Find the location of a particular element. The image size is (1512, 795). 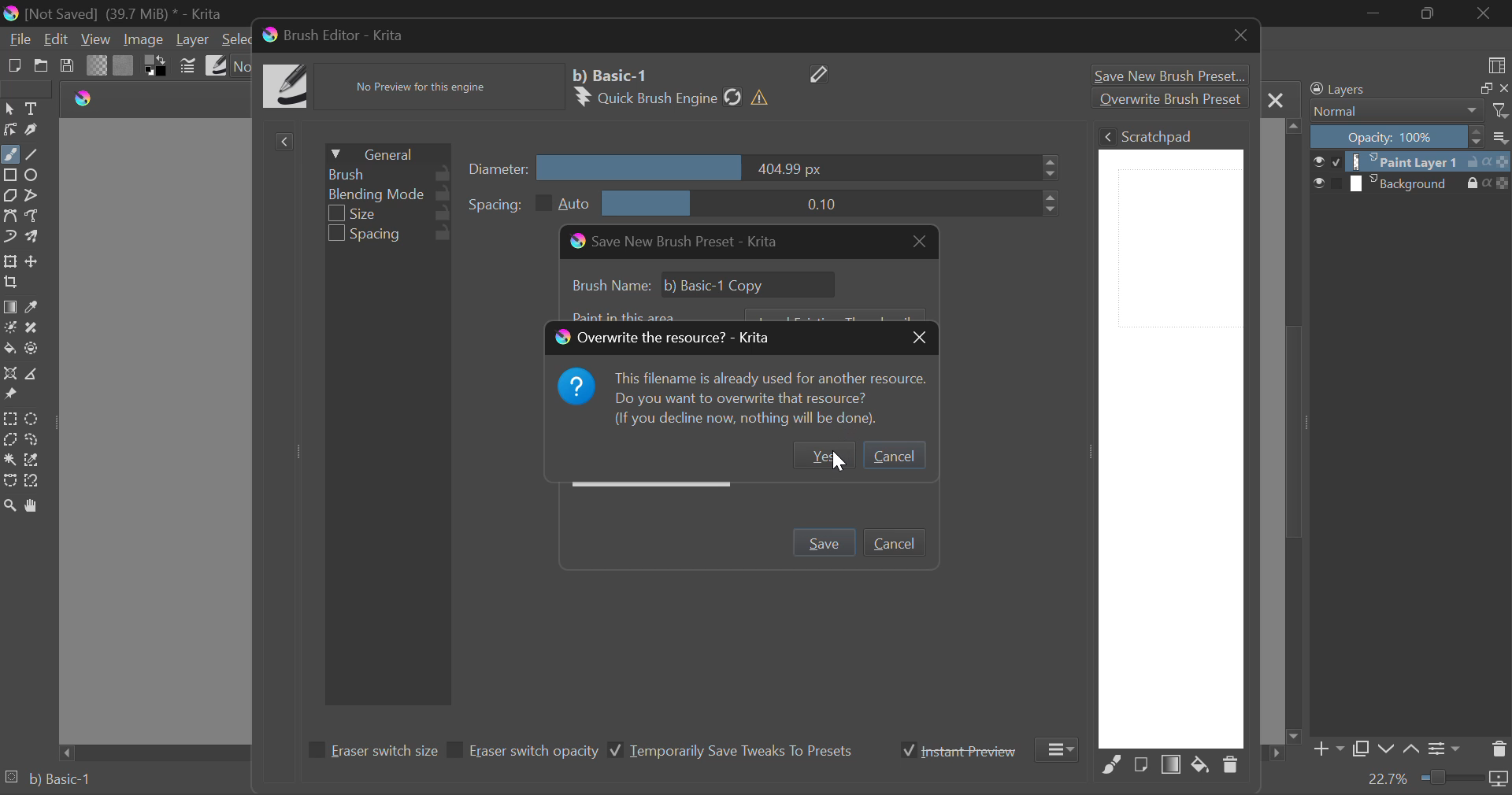

Brush Editor -Krita is located at coordinates (332, 35).